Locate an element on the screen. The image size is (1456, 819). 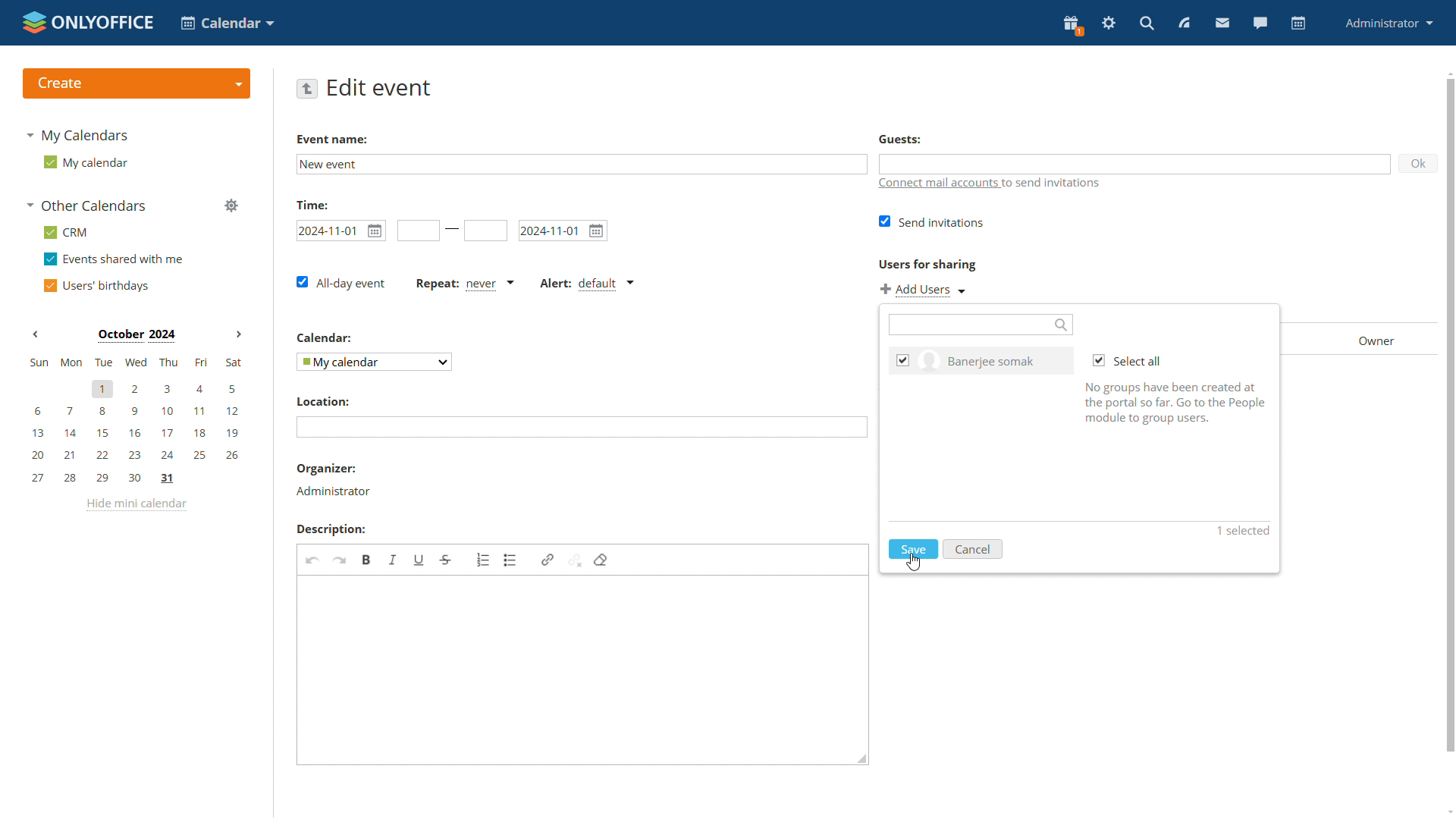
save is located at coordinates (912, 548).